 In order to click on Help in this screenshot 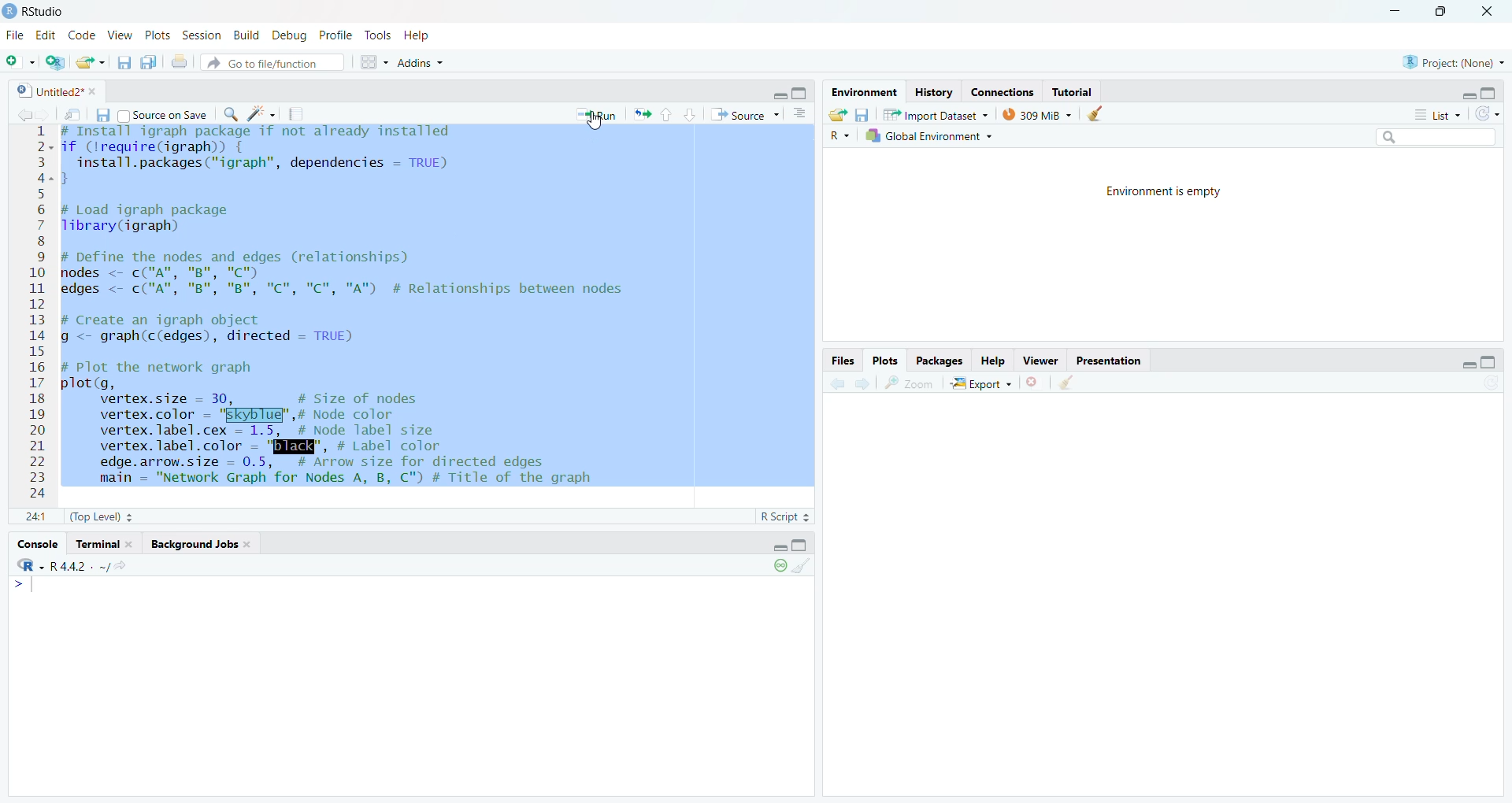, I will do `click(991, 358)`.